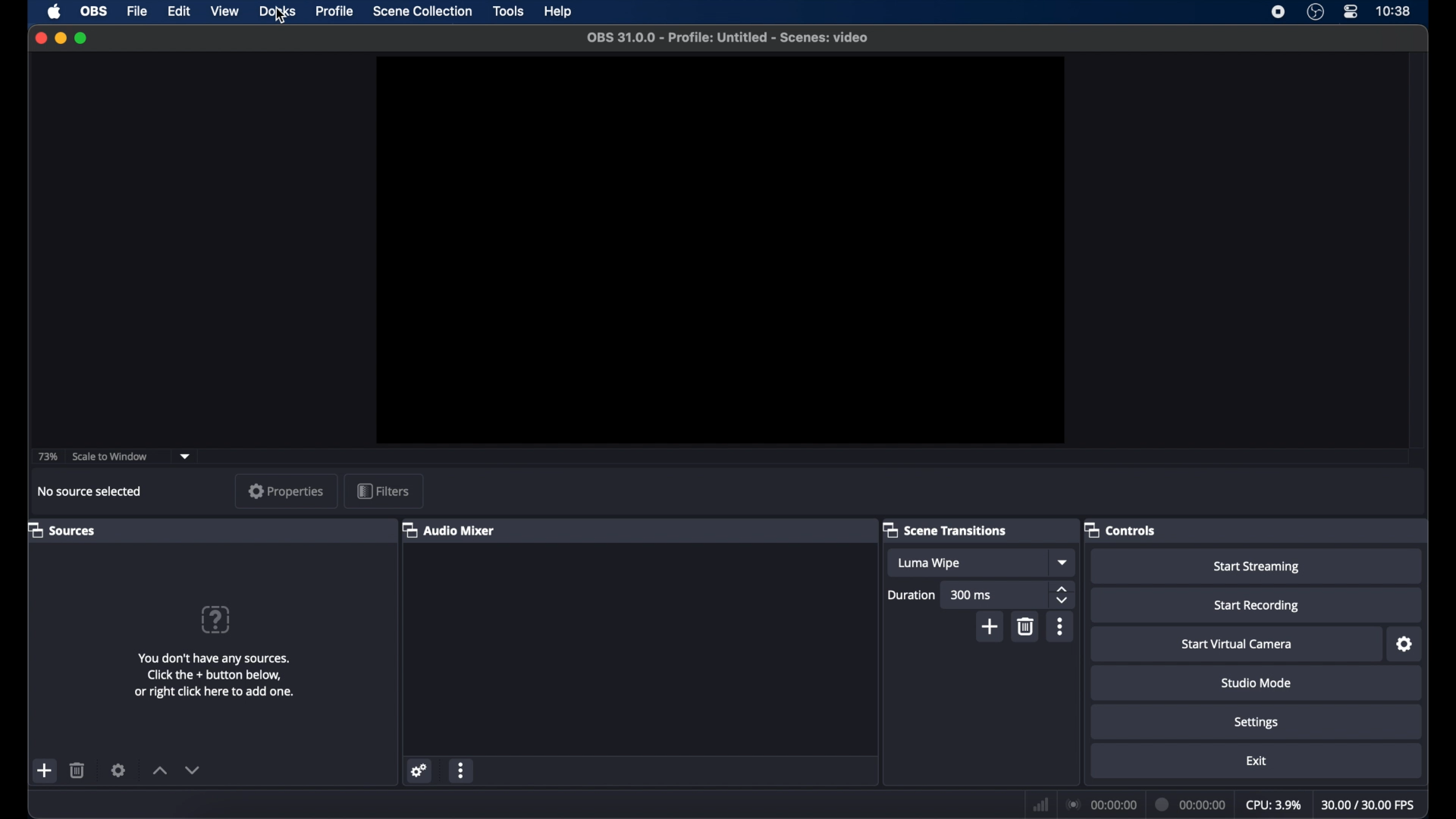 This screenshot has height=819, width=1456. I want to click on scene transitions, so click(946, 529).